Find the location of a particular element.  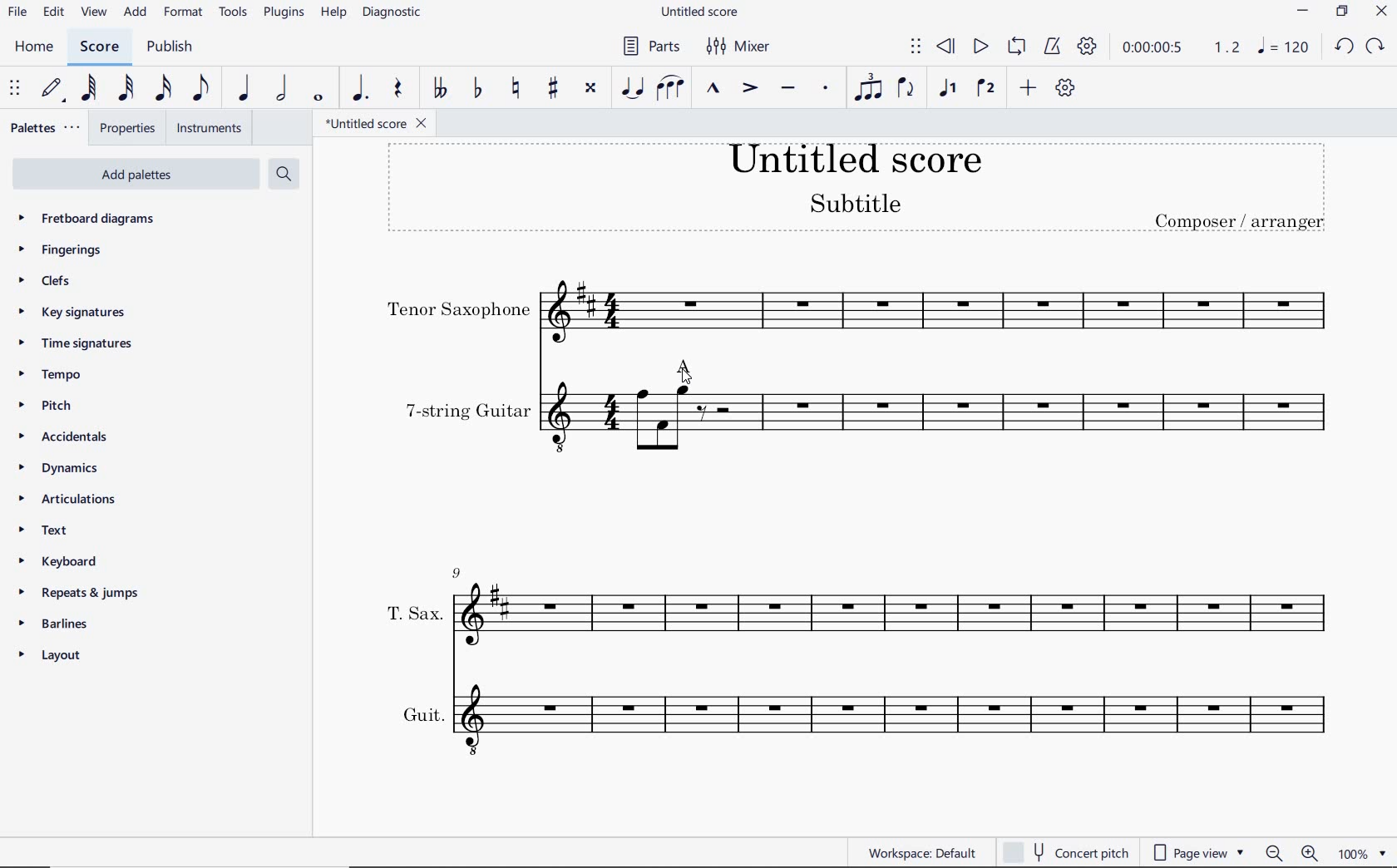

REDO is located at coordinates (1375, 48).